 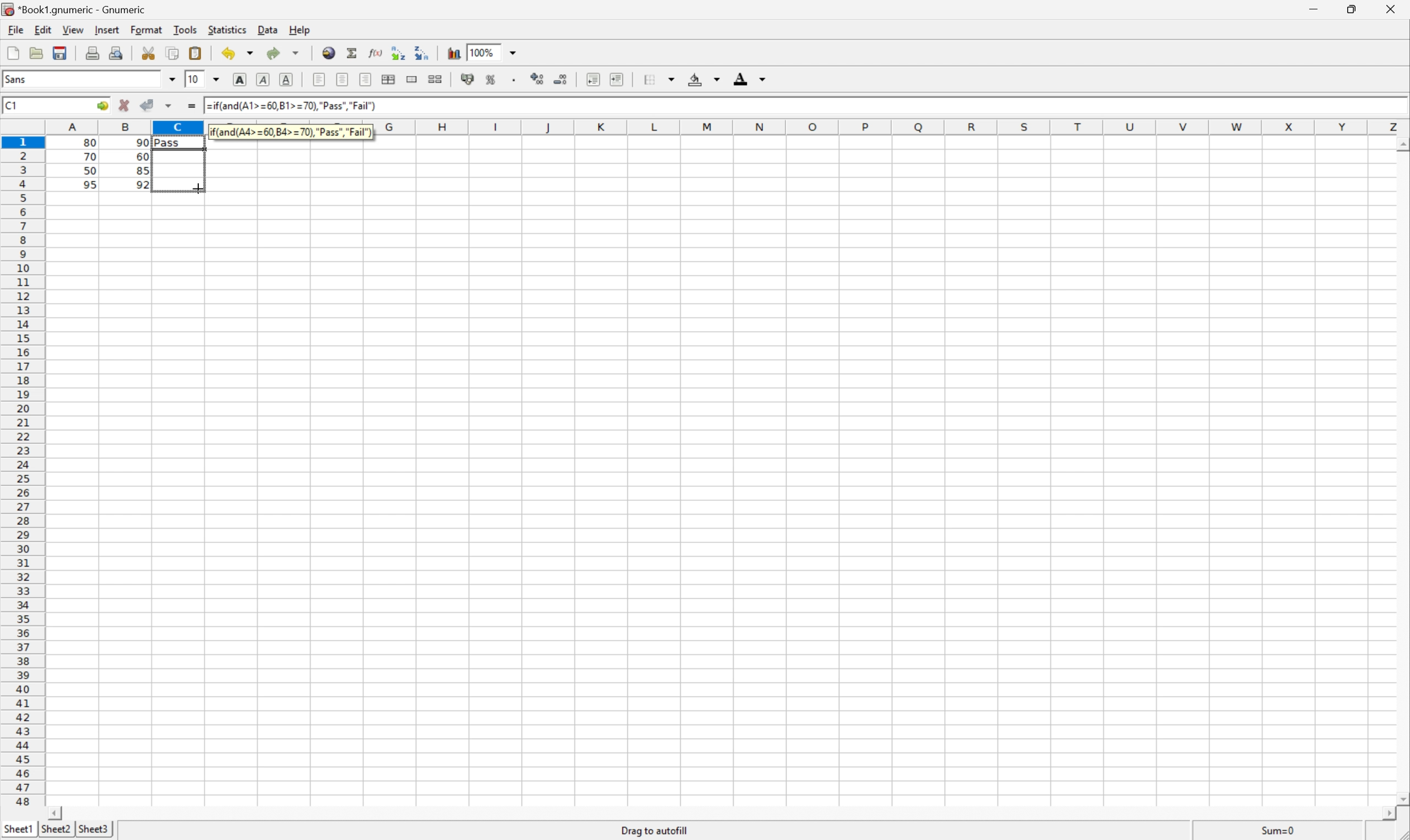 I want to click on Minimize, so click(x=1314, y=7).